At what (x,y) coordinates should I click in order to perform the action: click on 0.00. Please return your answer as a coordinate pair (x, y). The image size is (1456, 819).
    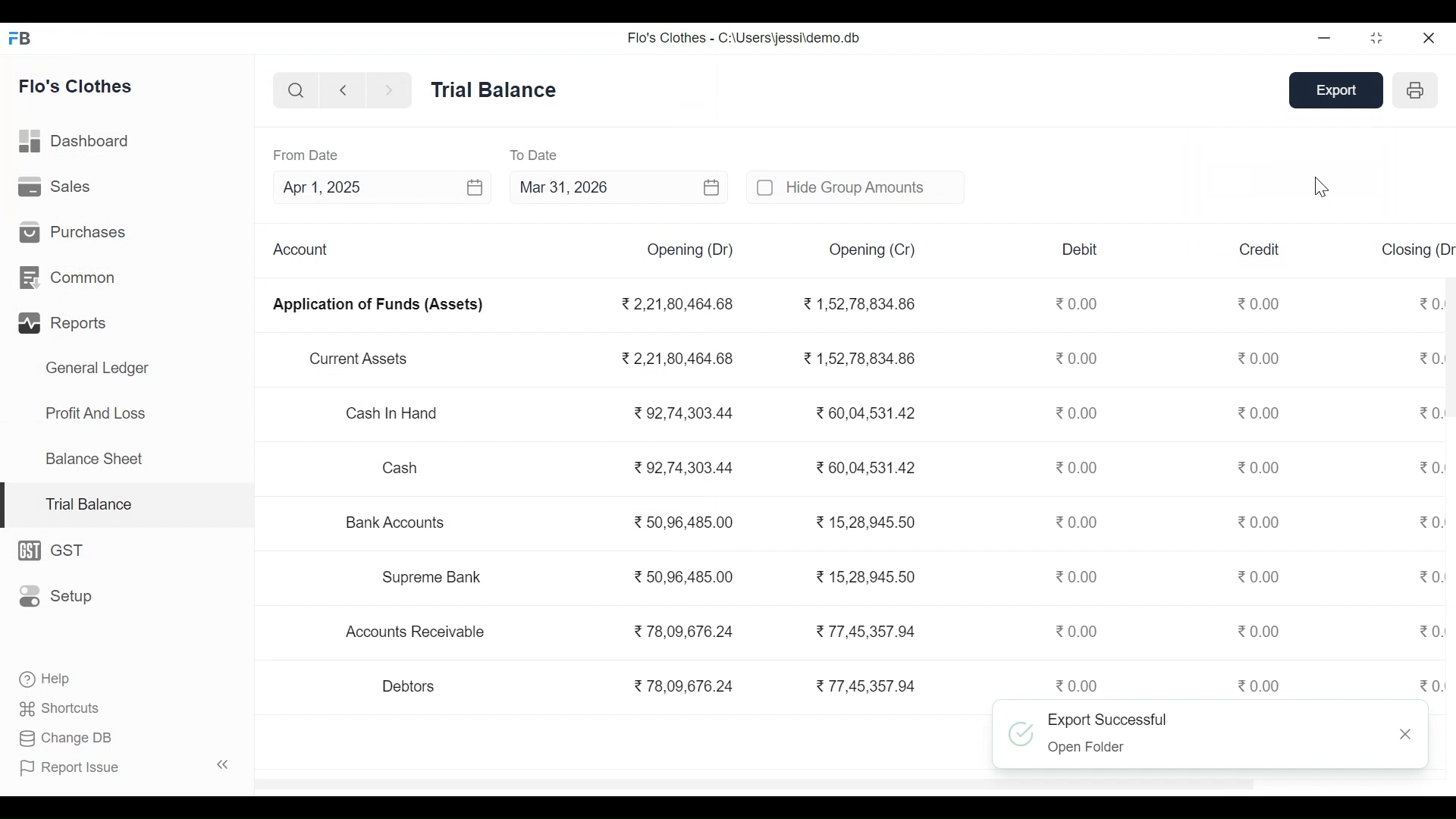
    Looking at the image, I should click on (1078, 303).